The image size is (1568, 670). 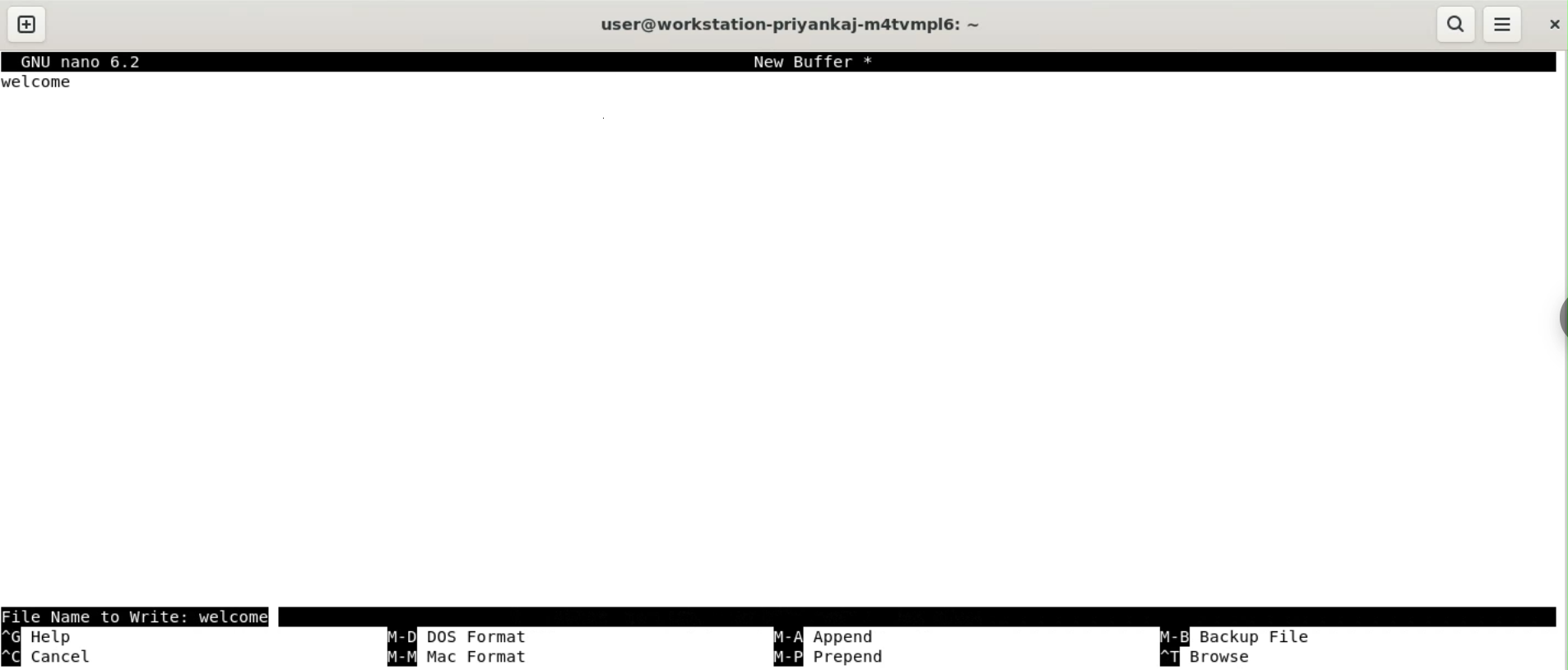 What do you see at coordinates (1556, 318) in the screenshot?
I see `sidebar` at bounding box center [1556, 318].